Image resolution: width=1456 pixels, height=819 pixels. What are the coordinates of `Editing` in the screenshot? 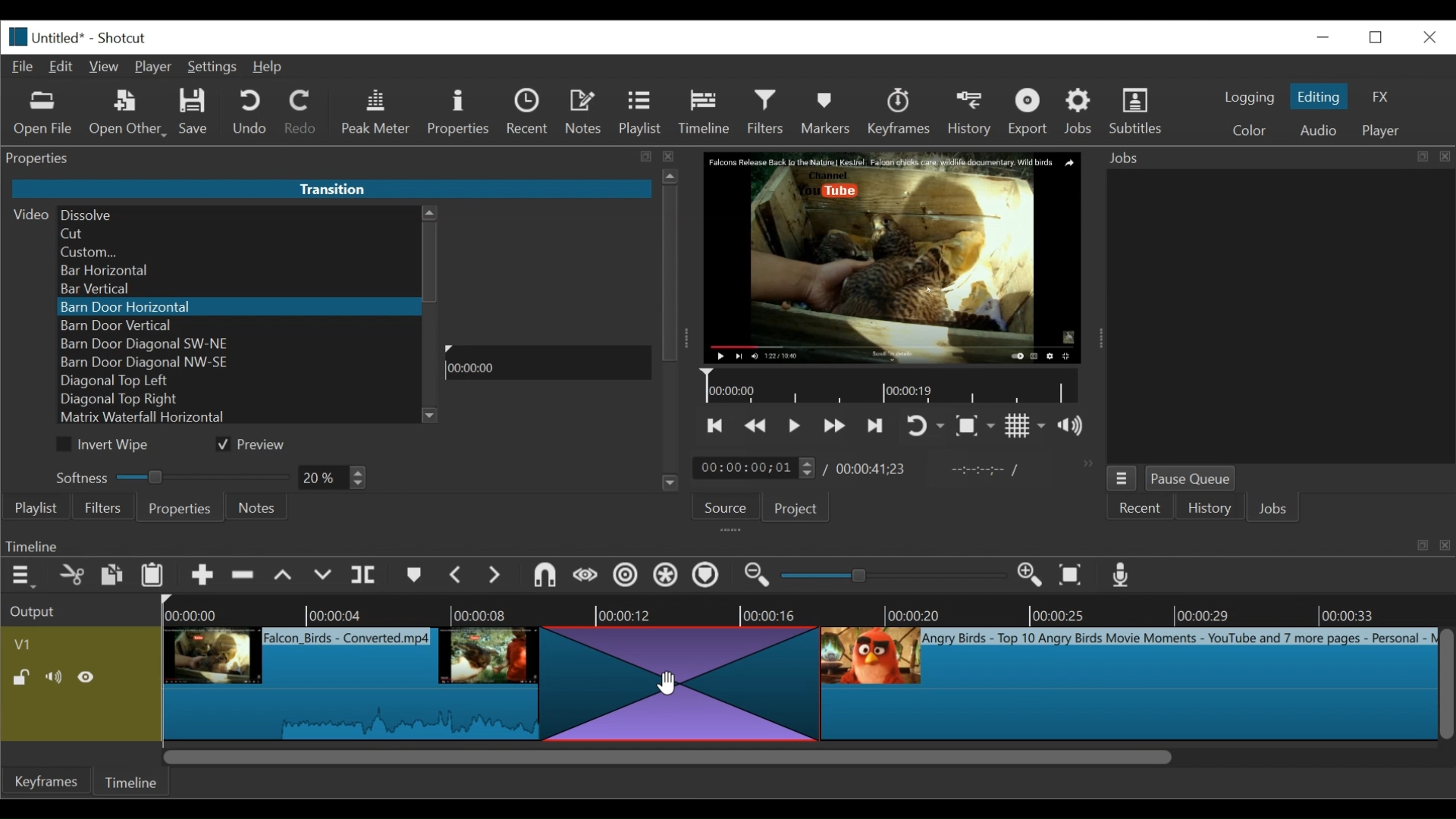 It's located at (1320, 96).